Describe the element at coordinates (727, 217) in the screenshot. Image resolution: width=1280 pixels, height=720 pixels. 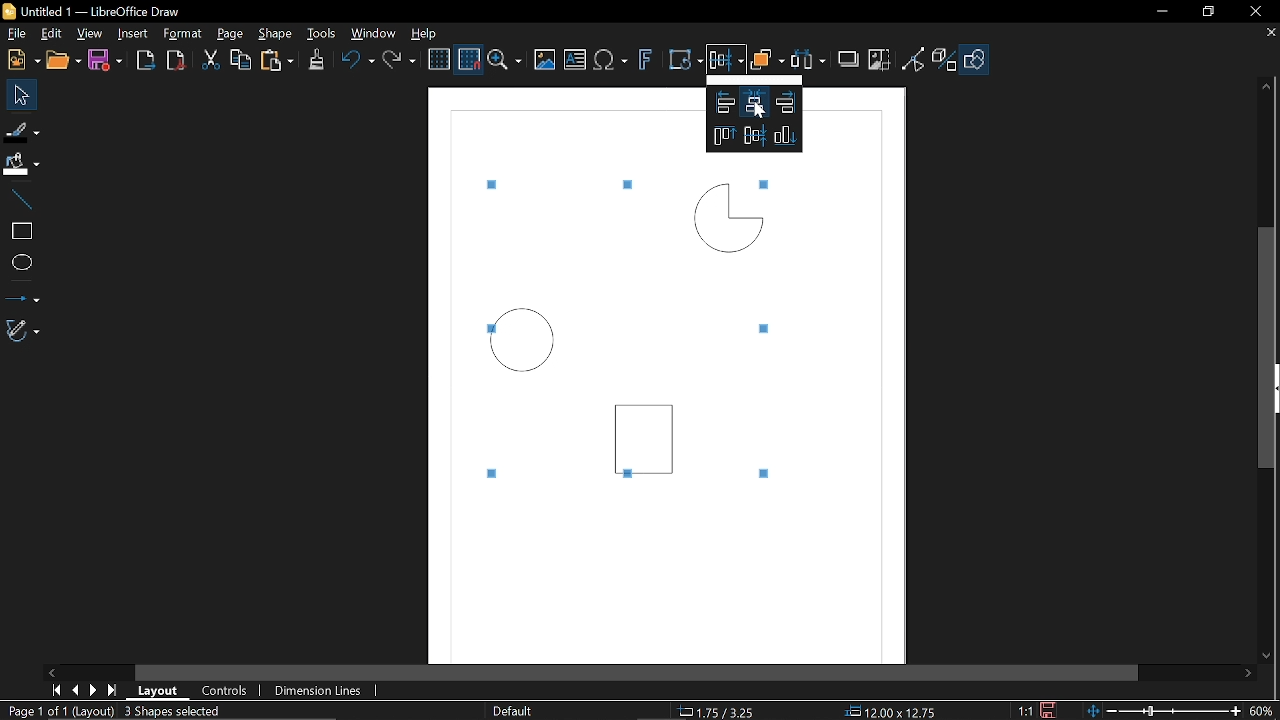
I see `Quarter circle` at that location.